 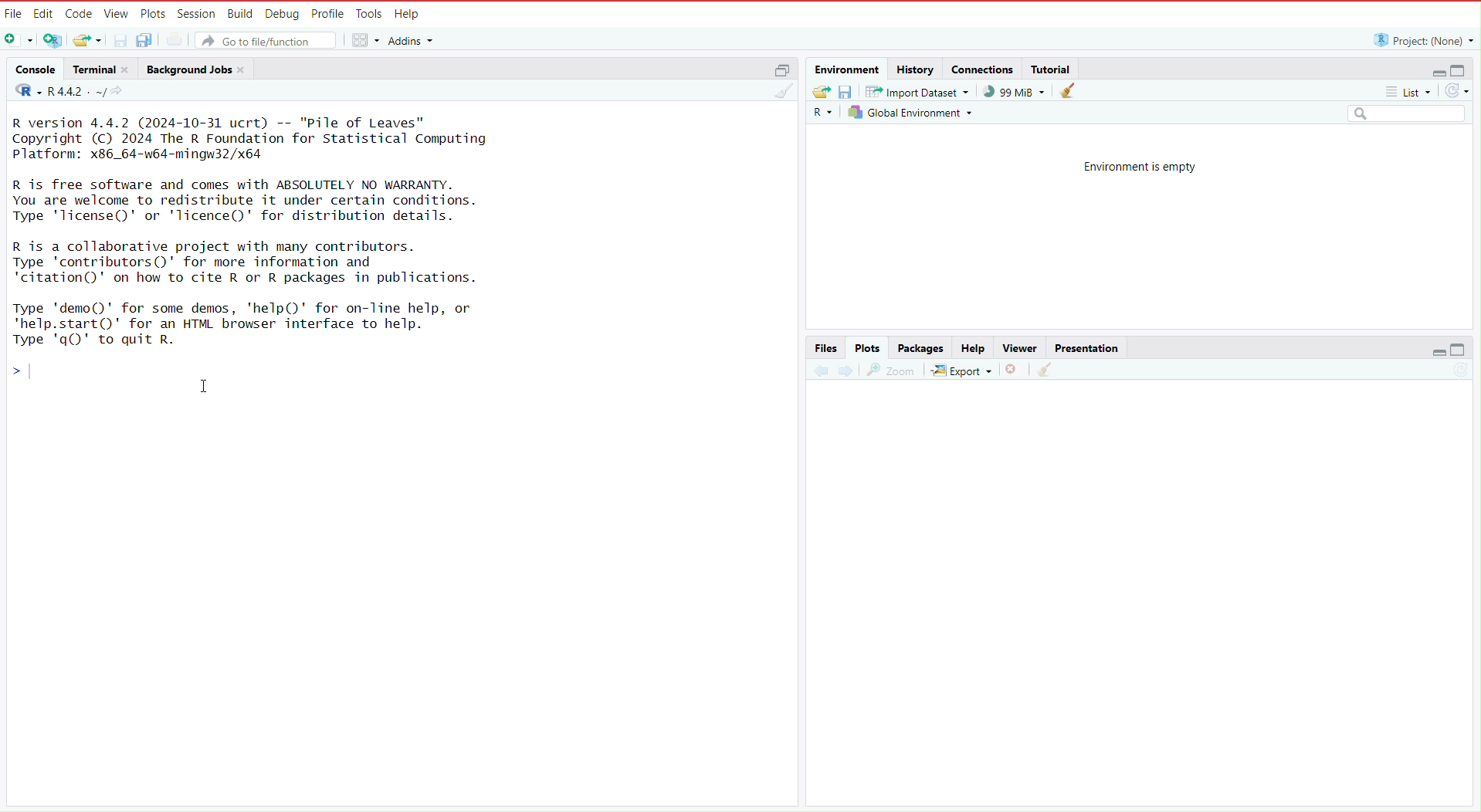 What do you see at coordinates (188, 68) in the screenshot?
I see `background jobs` at bounding box center [188, 68].